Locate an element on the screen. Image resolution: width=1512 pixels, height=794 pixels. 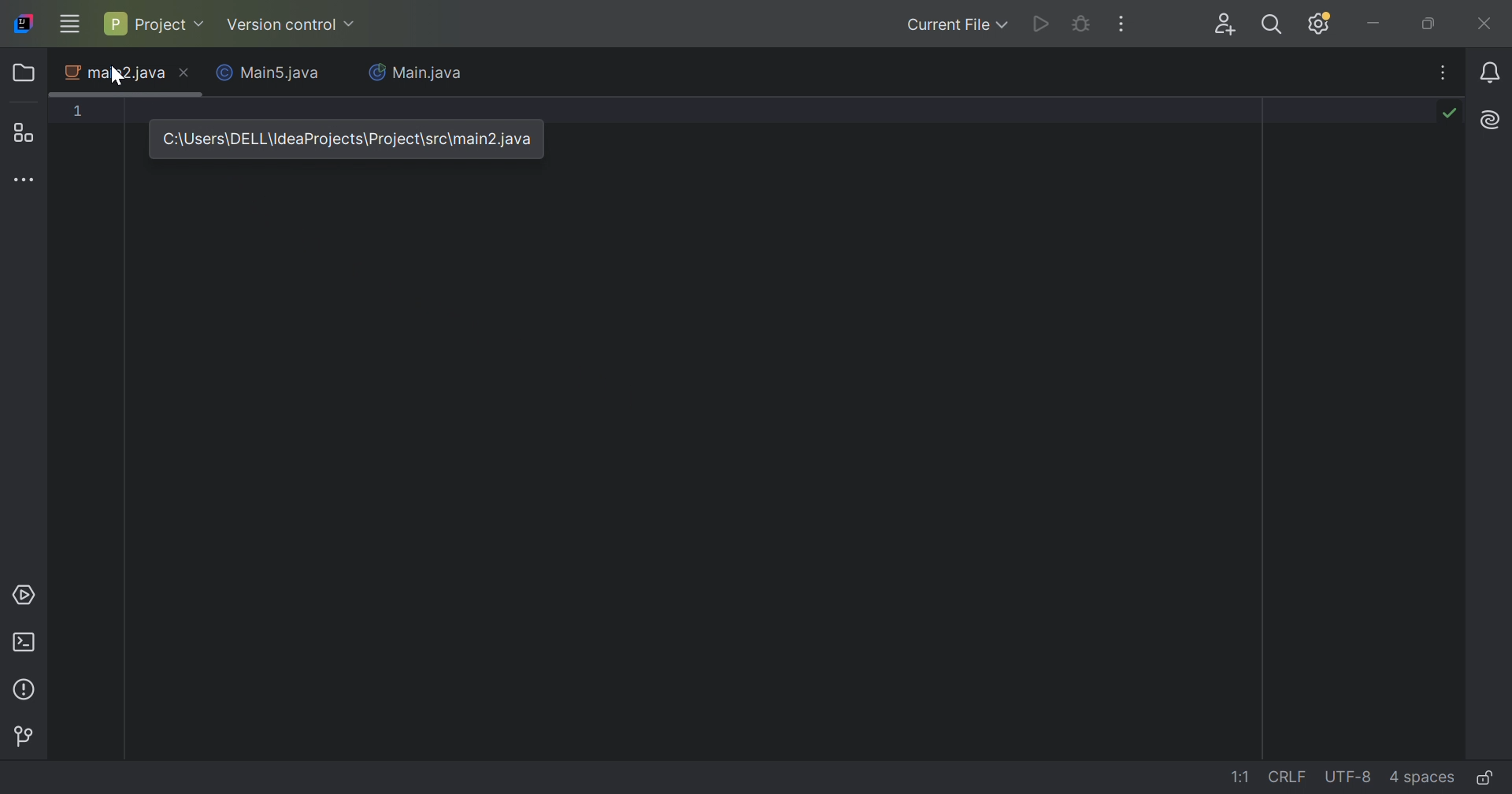
Main5.java is located at coordinates (272, 74).